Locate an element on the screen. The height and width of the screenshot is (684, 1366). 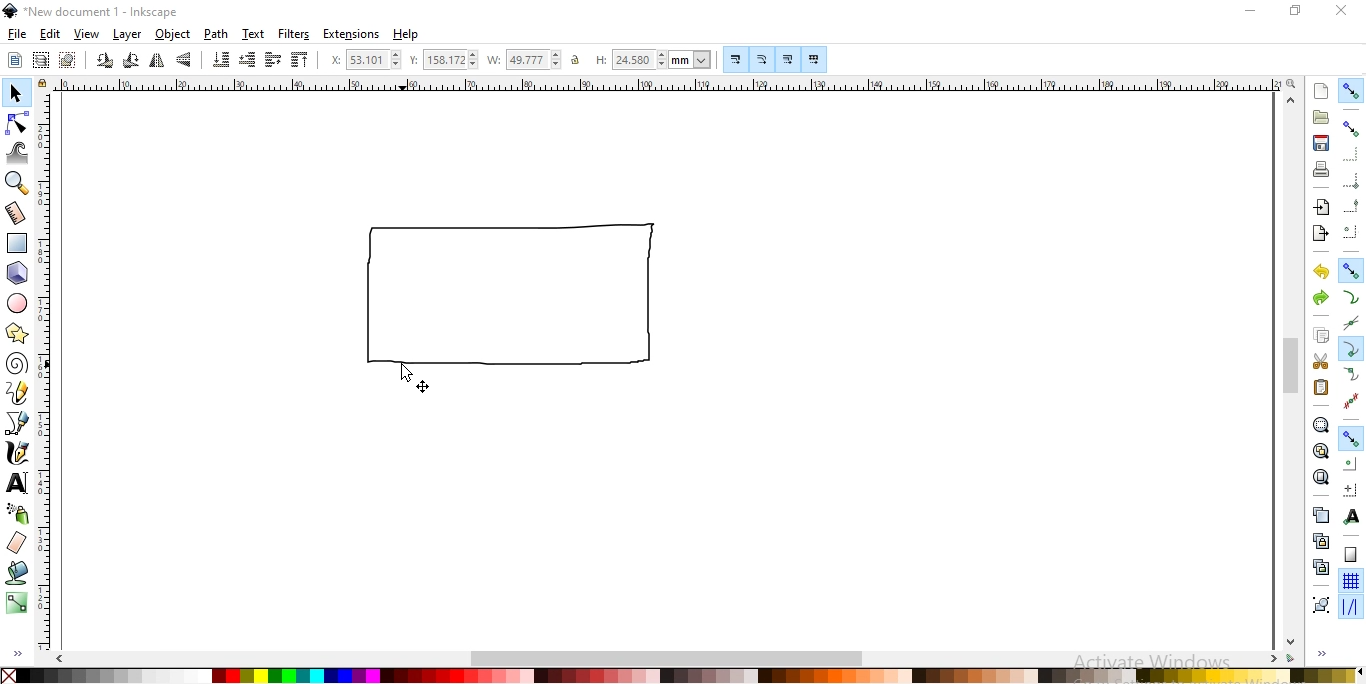
draw  calligraphic or brush strokes is located at coordinates (17, 453).